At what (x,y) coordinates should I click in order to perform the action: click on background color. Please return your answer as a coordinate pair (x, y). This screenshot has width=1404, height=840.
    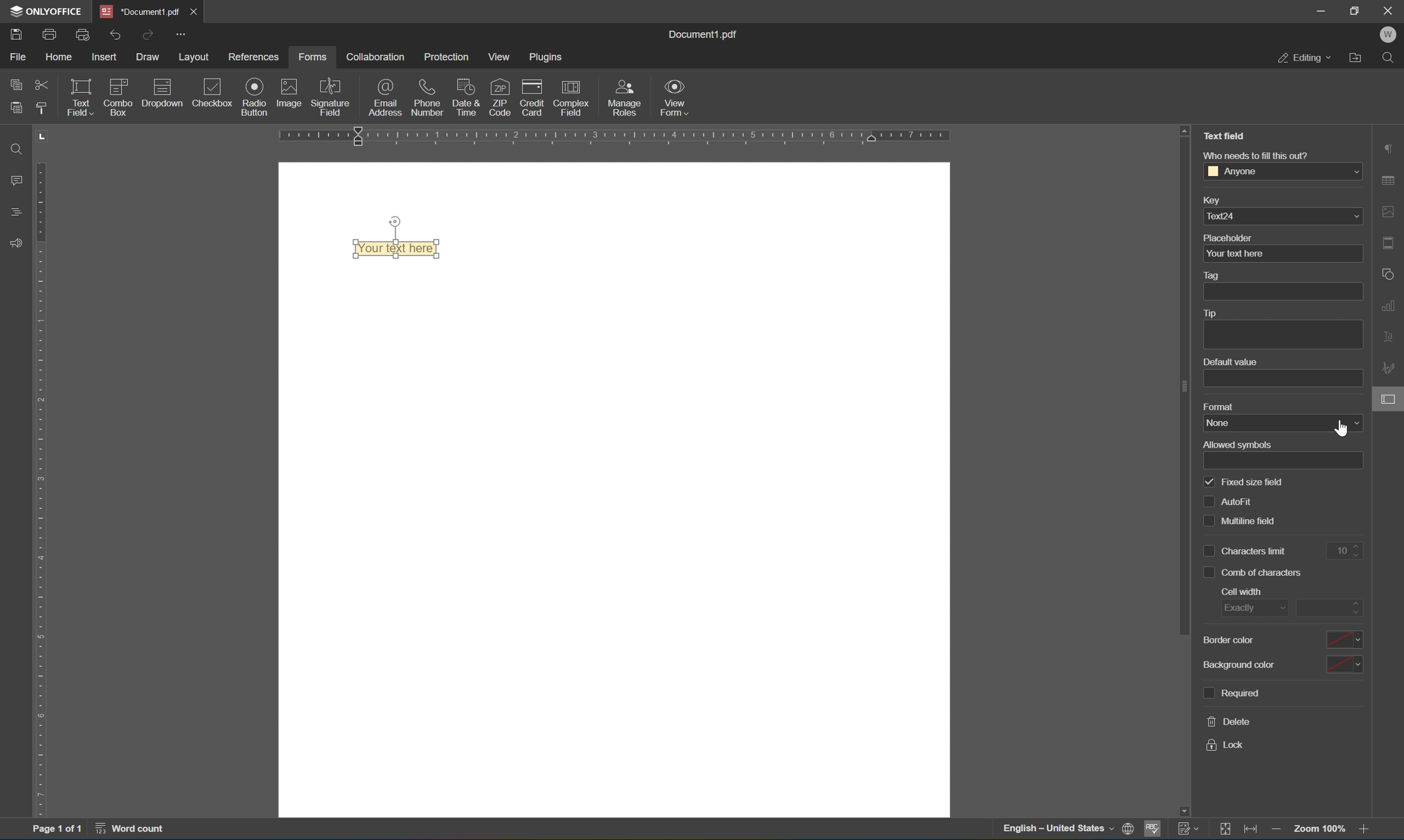
    Looking at the image, I should click on (1239, 667).